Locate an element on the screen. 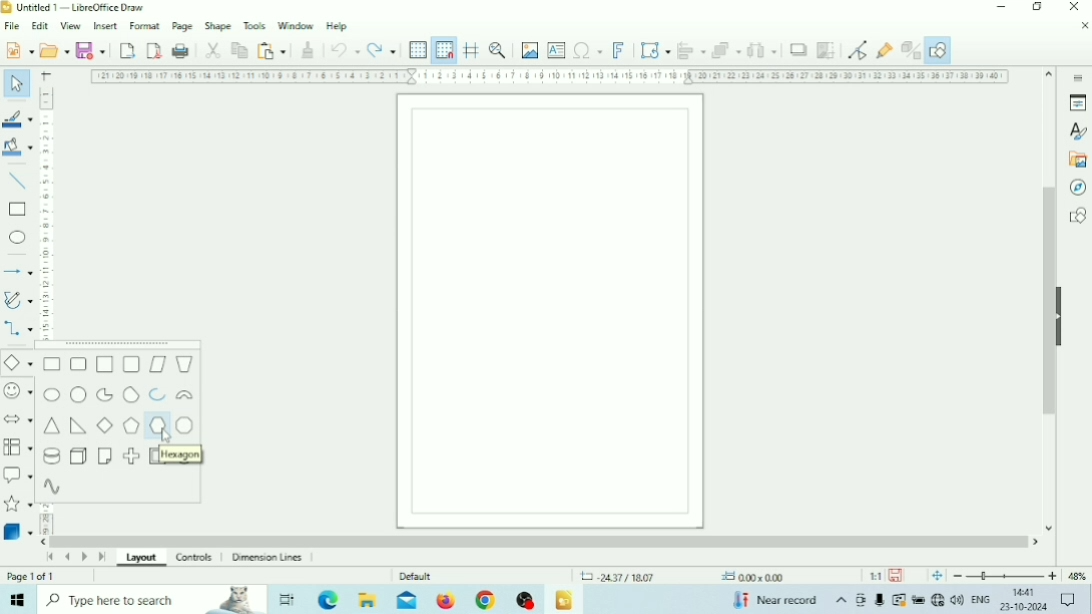  Properties is located at coordinates (1078, 103).